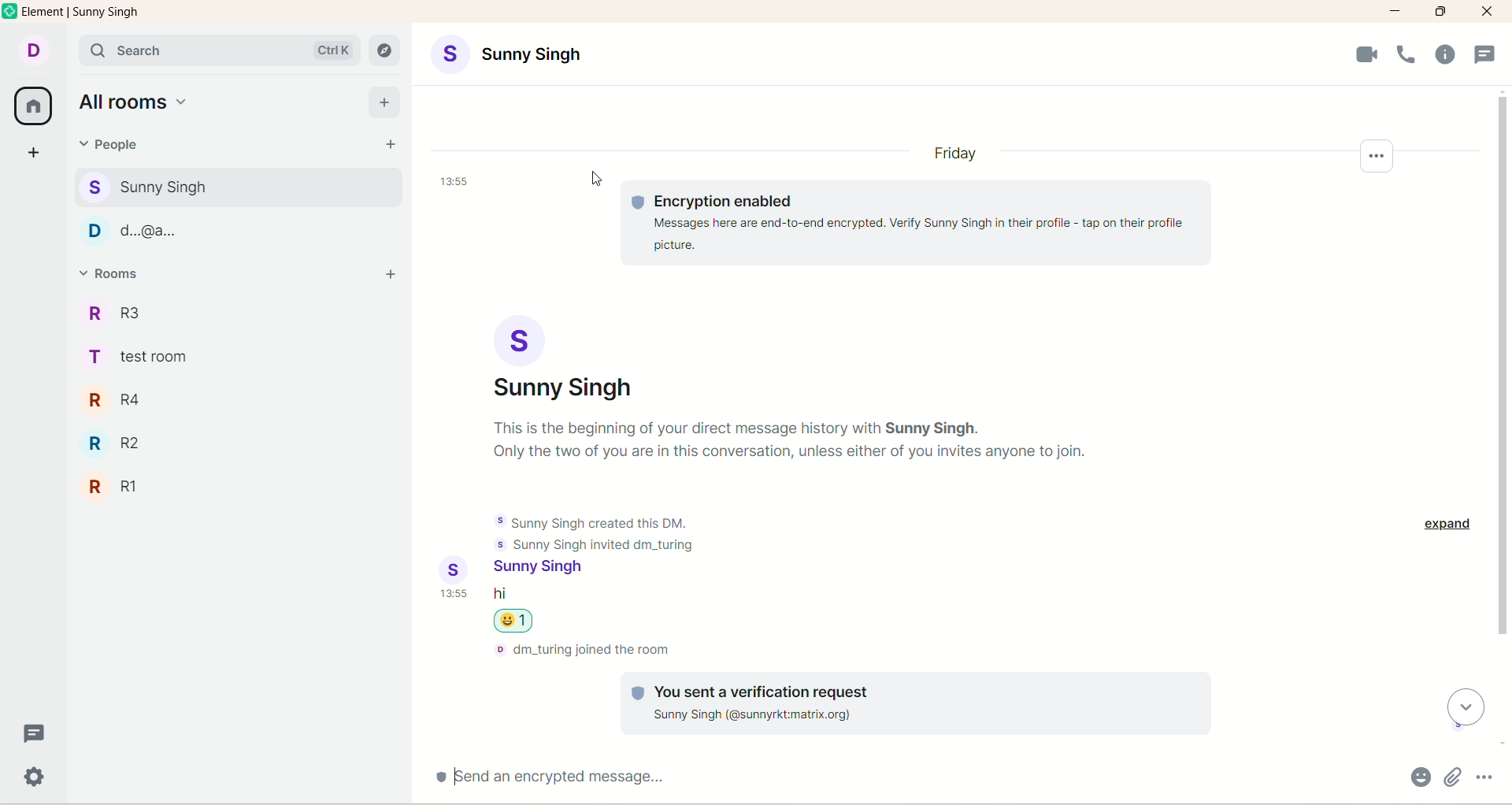 Image resolution: width=1512 pixels, height=805 pixels. What do you see at coordinates (1503, 418) in the screenshot?
I see `vertical scroll bar` at bounding box center [1503, 418].